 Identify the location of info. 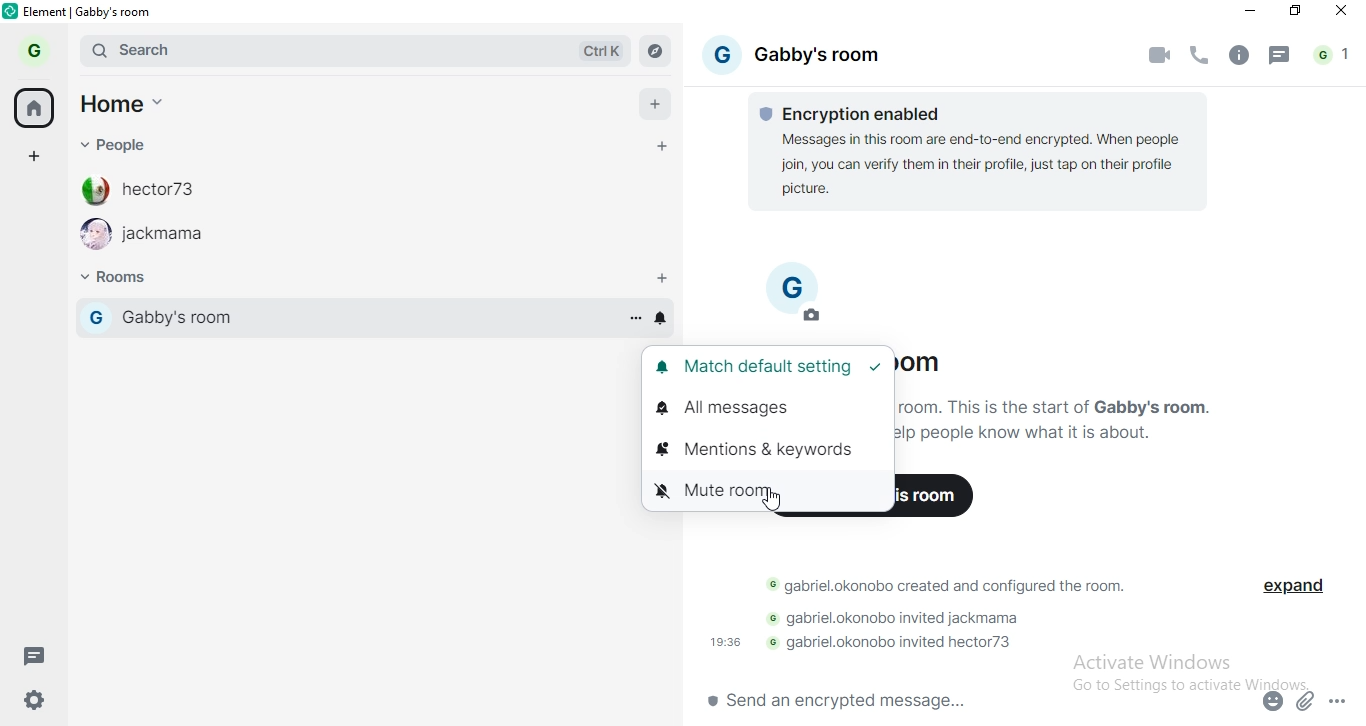
(1239, 56).